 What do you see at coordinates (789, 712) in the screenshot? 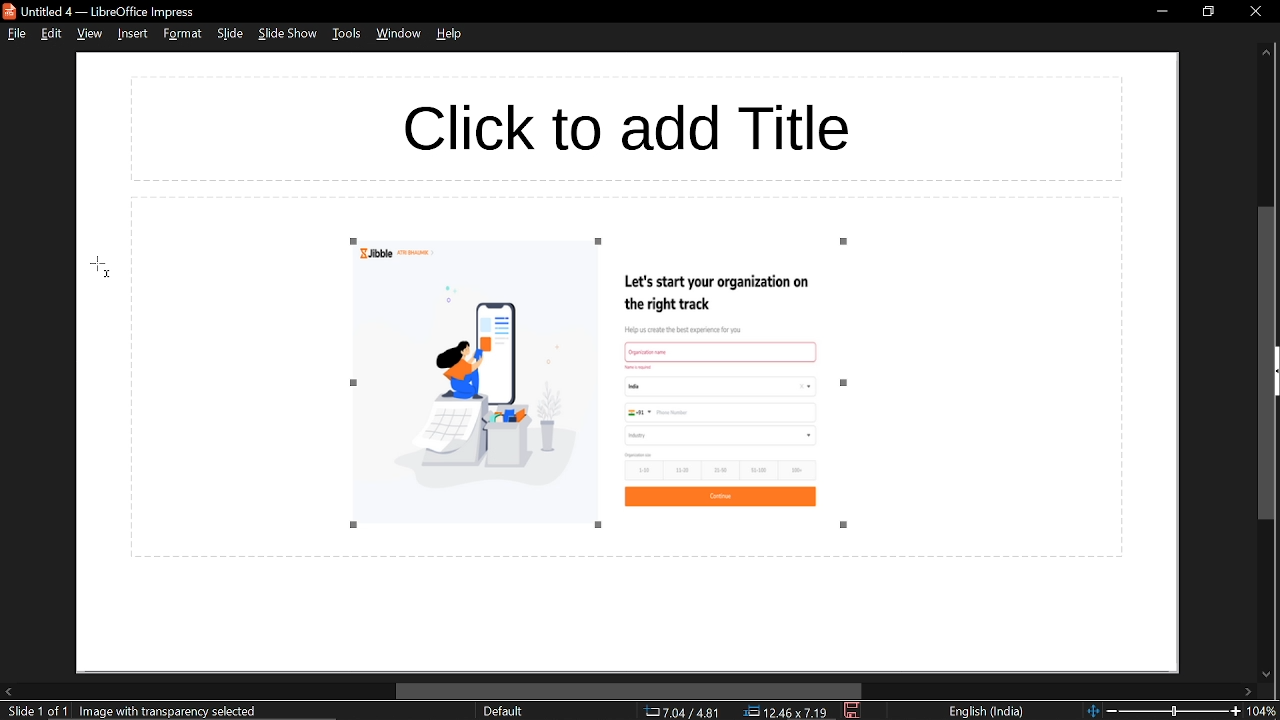
I see `location` at bounding box center [789, 712].